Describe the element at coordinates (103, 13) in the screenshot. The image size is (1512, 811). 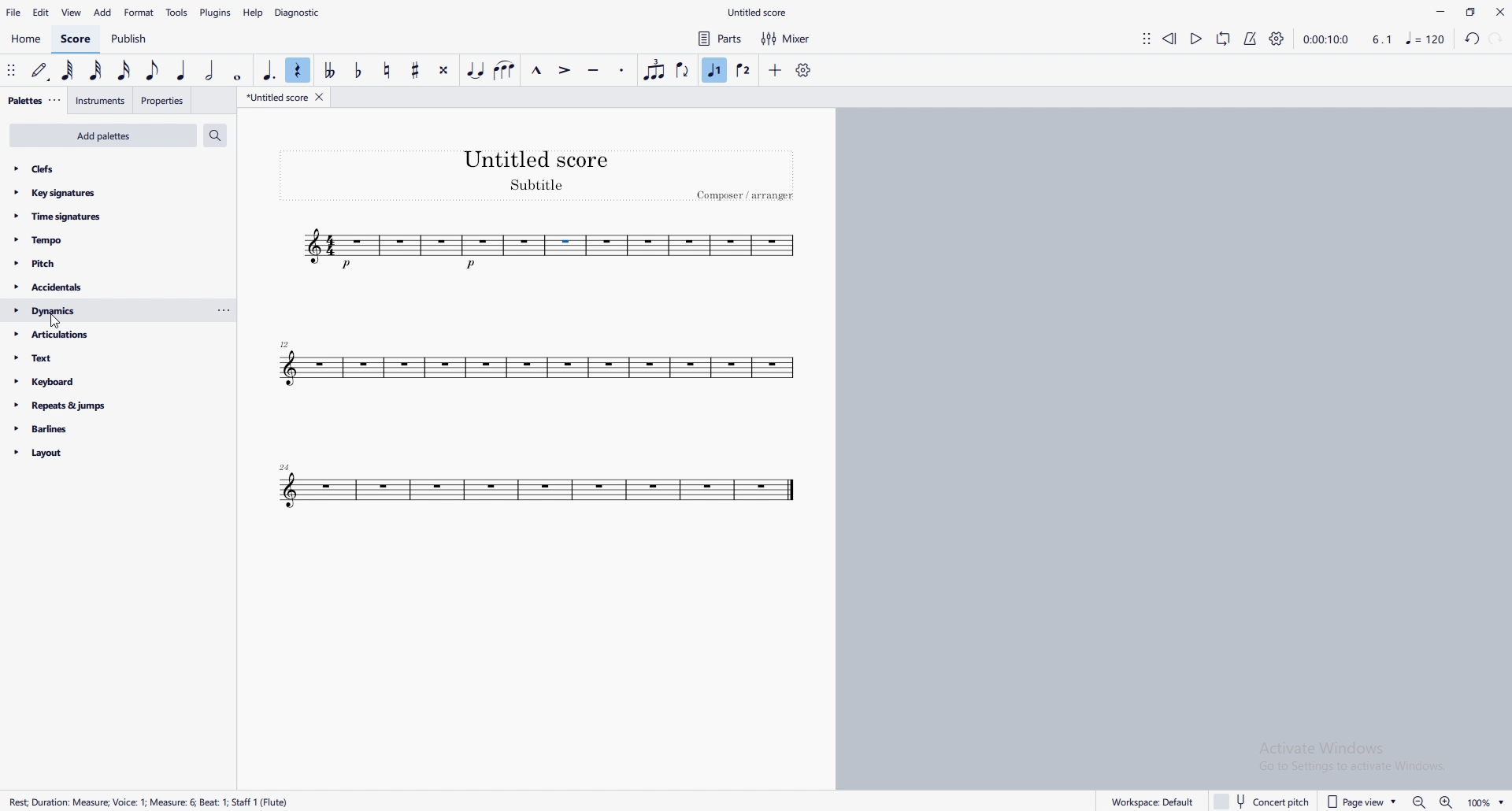
I see `add` at that location.